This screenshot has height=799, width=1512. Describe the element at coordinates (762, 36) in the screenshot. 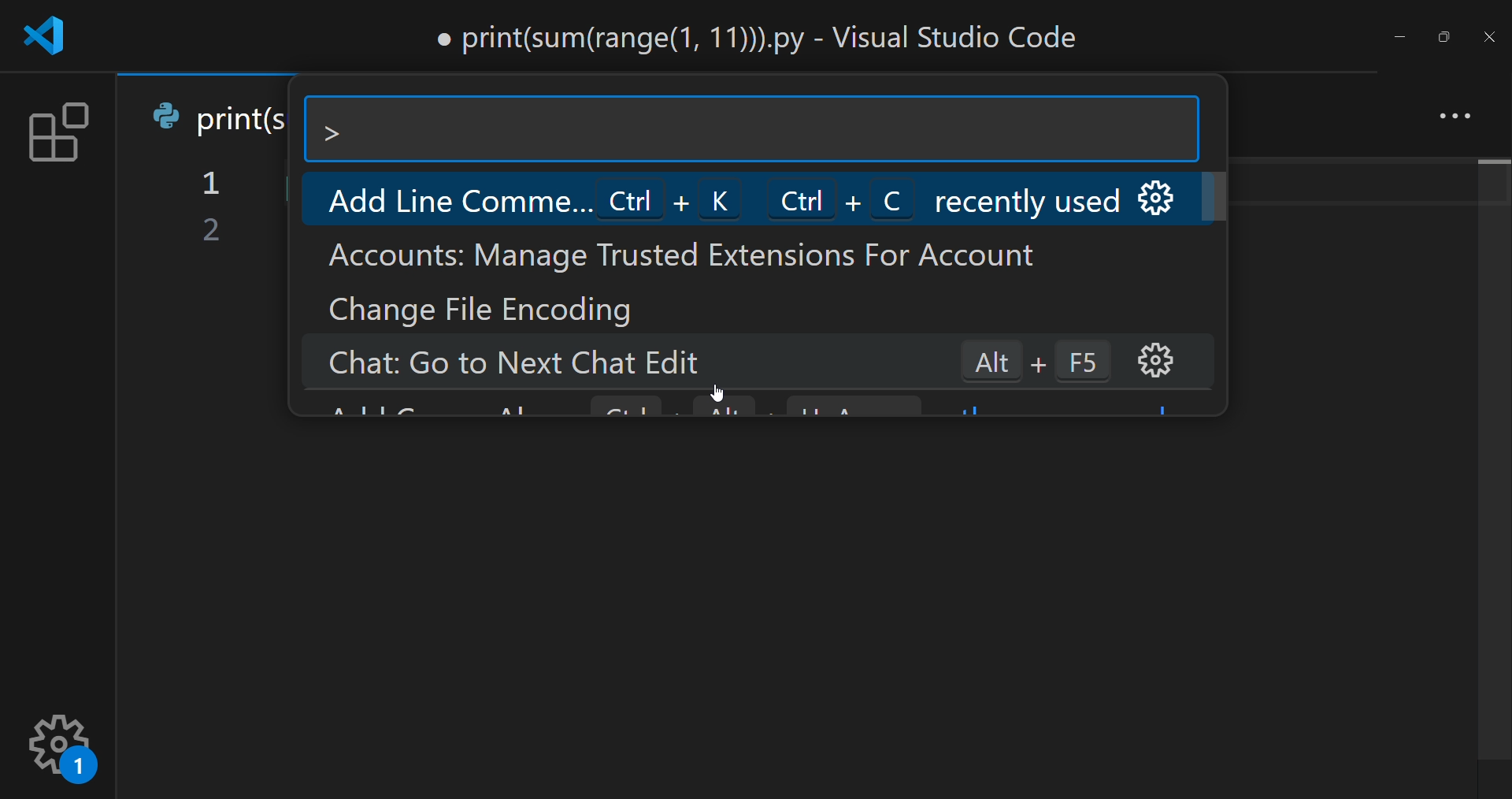

I see `print(sum(range(1, 11))).py - Visual Studio Code` at that location.